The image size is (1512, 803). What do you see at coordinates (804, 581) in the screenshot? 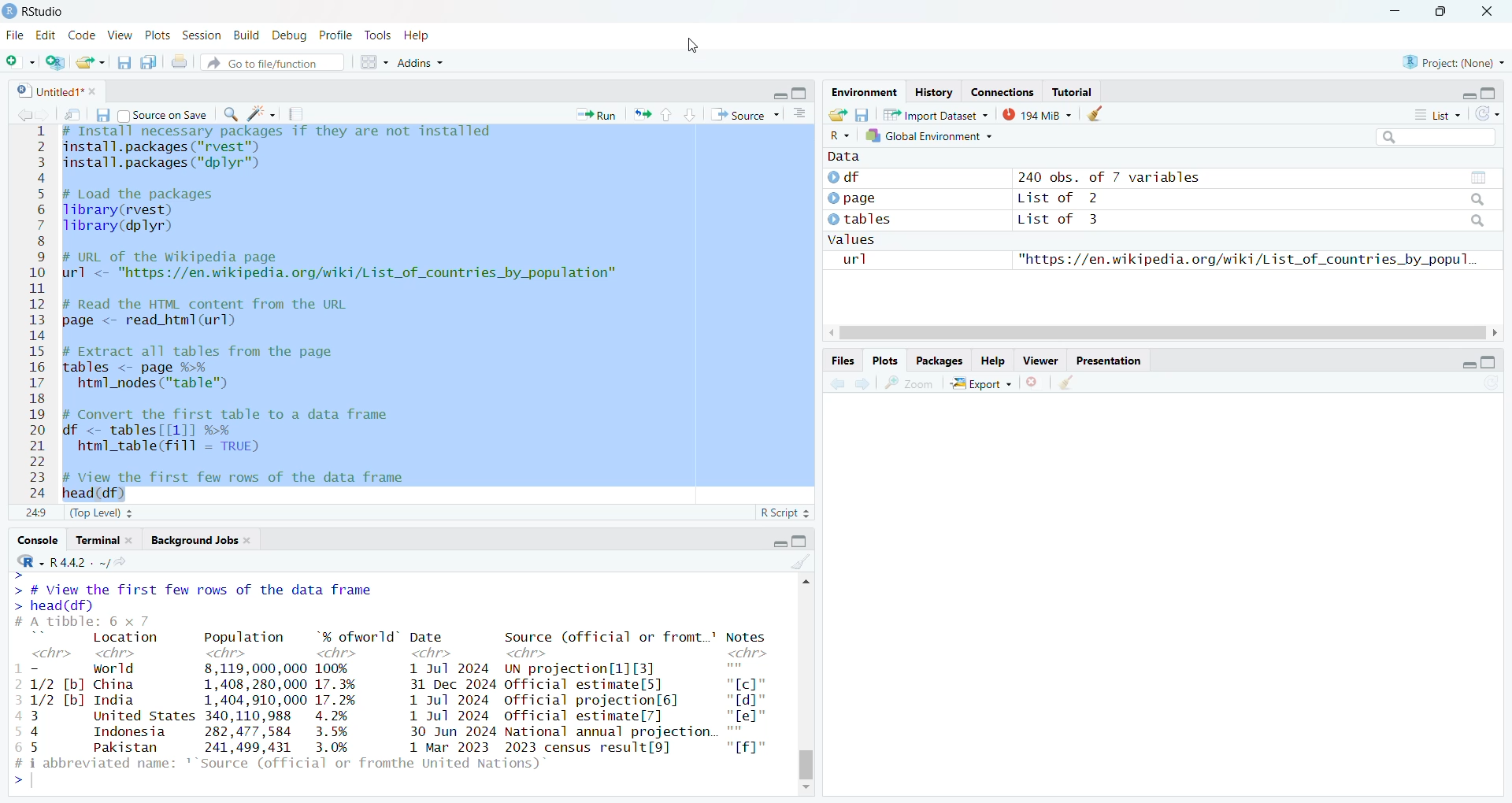
I see `scroll up` at bounding box center [804, 581].